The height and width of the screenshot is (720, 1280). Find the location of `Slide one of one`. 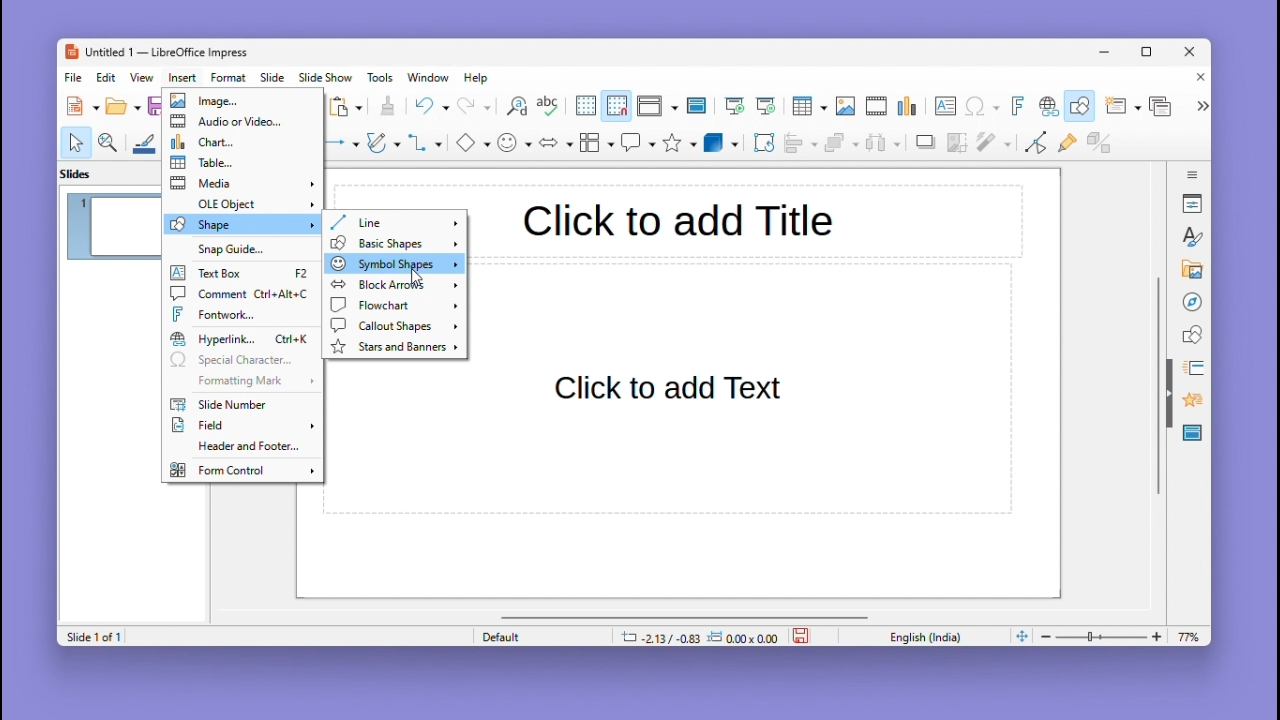

Slide one of one is located at coordinates (91, 637).